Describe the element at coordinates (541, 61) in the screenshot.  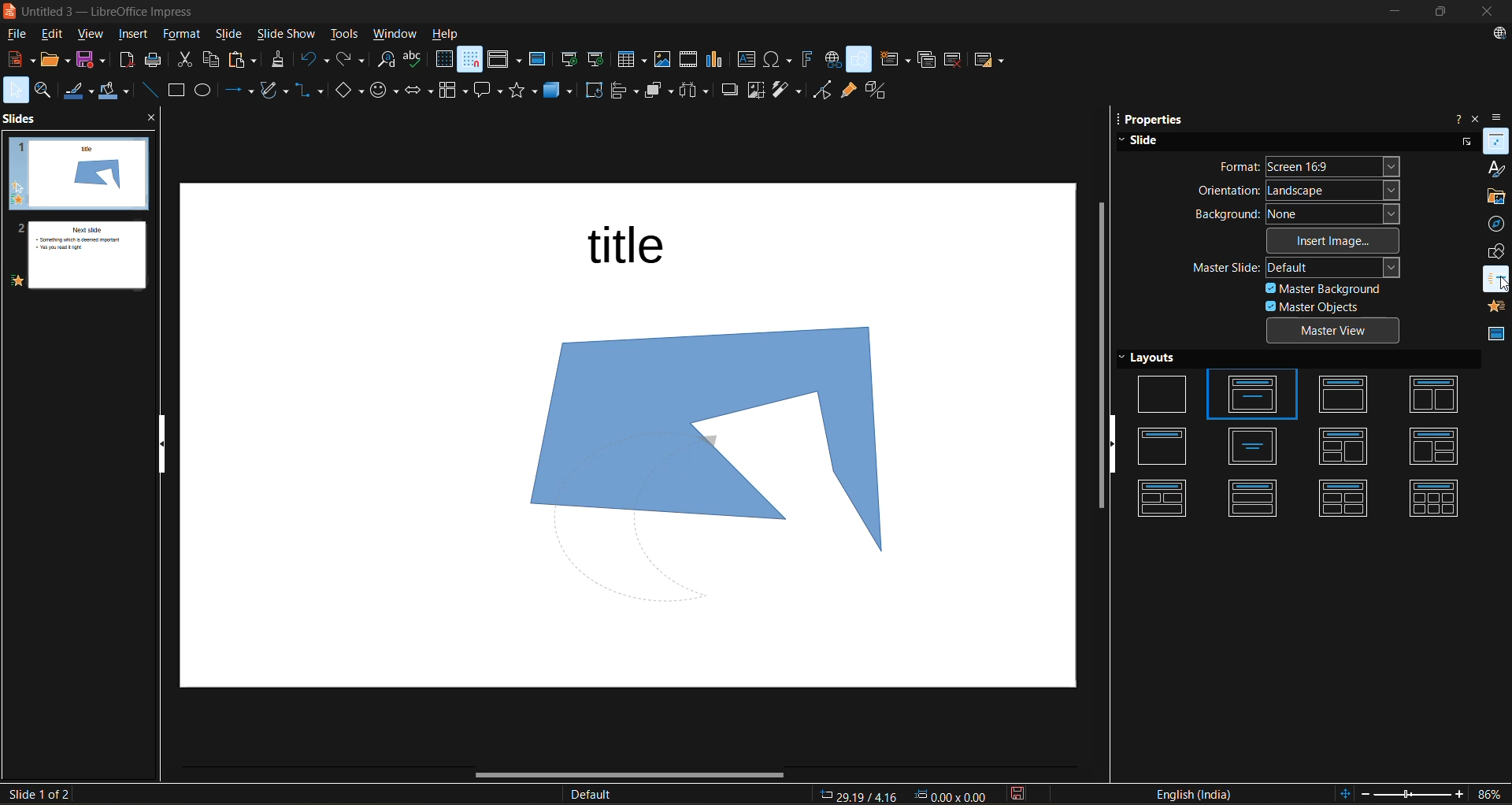
I see `master slide` at that location.